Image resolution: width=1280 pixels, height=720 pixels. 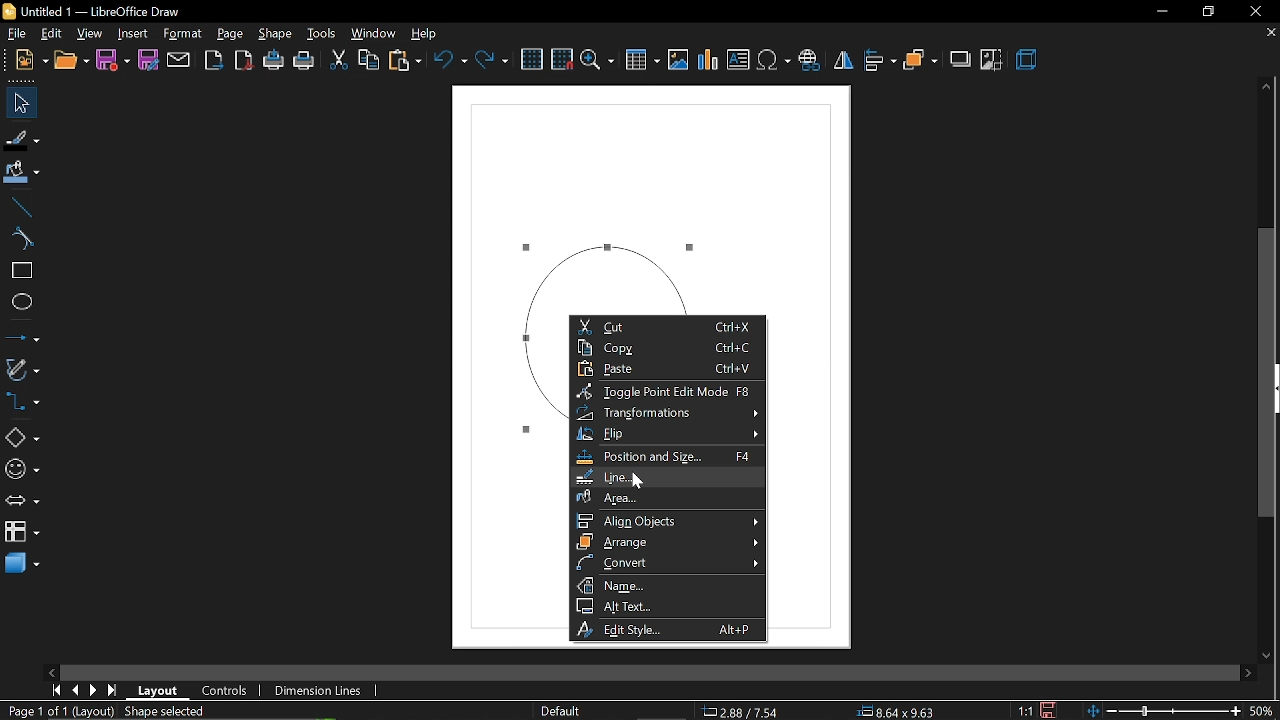 What do you see at coordinates (493, 60) in the screenshot?
I see `redo` at bounding box center [493, 60].